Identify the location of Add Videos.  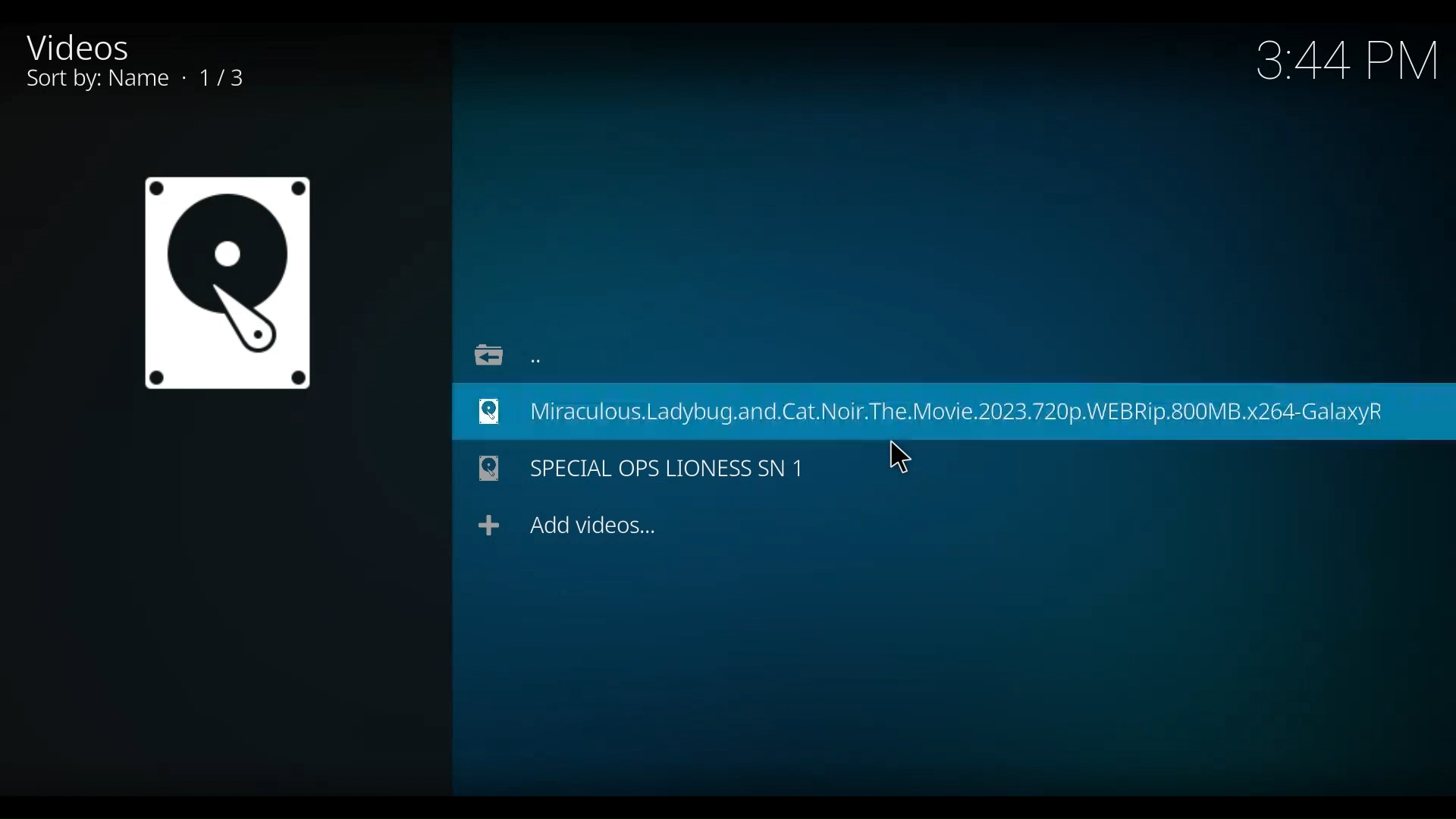
(568, 525).